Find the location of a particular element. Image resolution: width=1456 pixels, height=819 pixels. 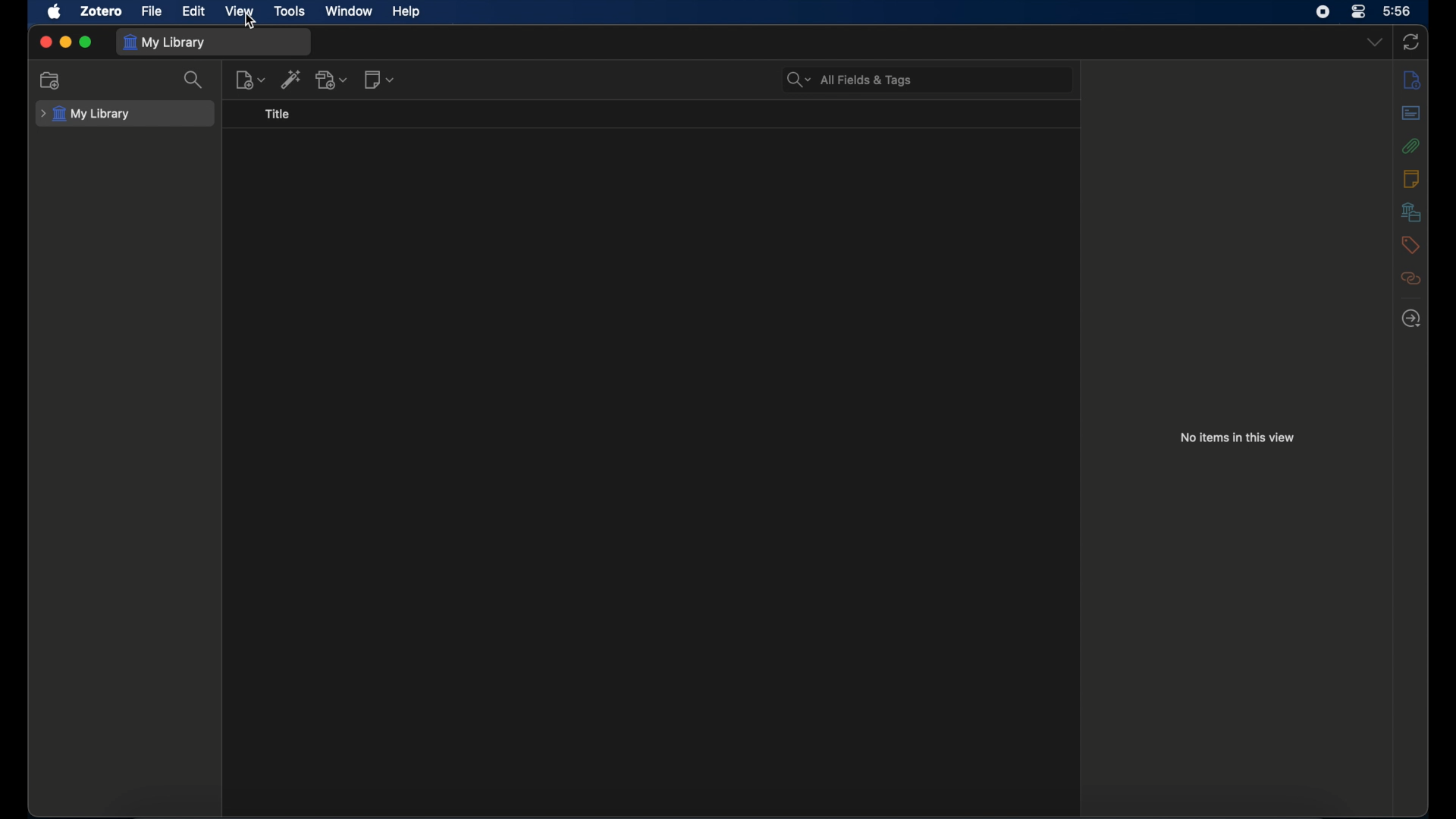

screen recorder is located at coordinates (1323, 12).